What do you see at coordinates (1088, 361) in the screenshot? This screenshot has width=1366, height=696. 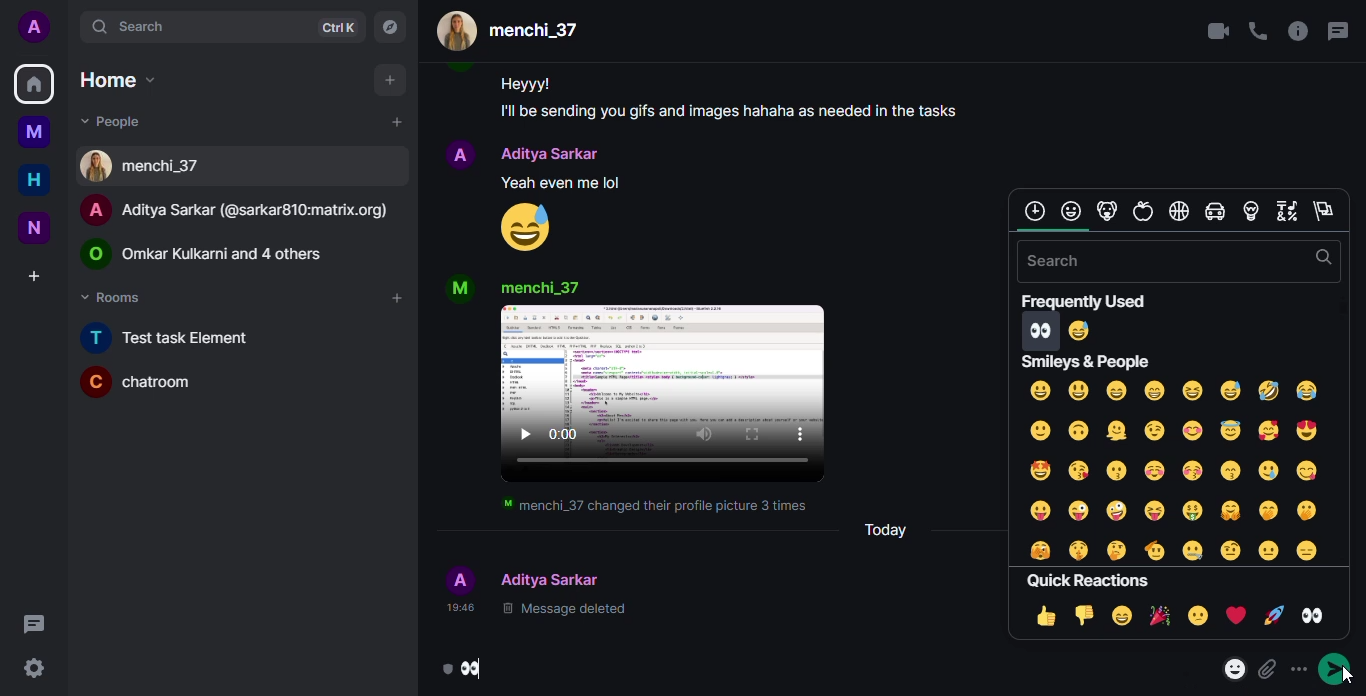 I see `smileys and people` at bounding box center [1088, 361].